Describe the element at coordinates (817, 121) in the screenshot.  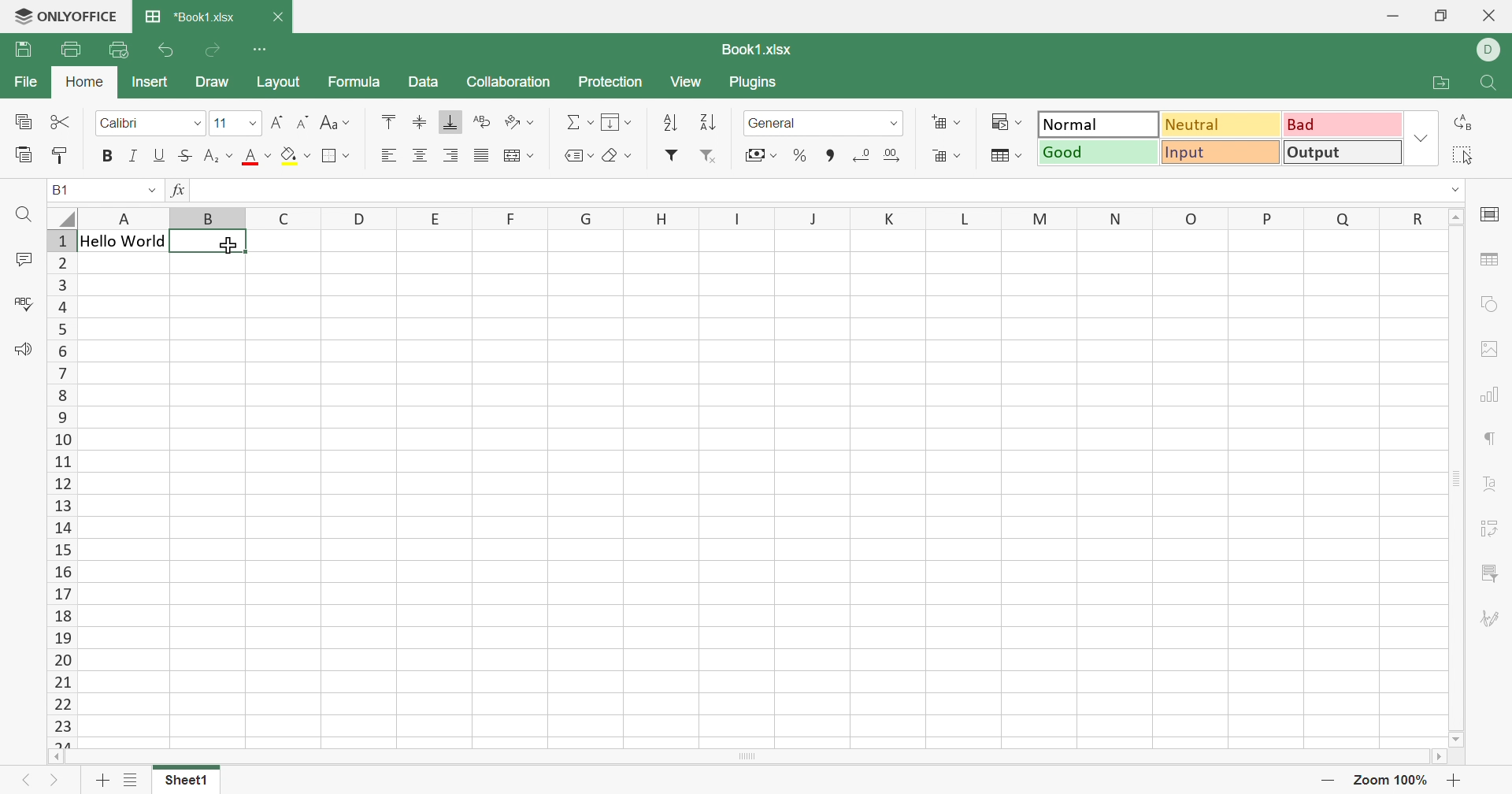
I see `Number format` at that location.